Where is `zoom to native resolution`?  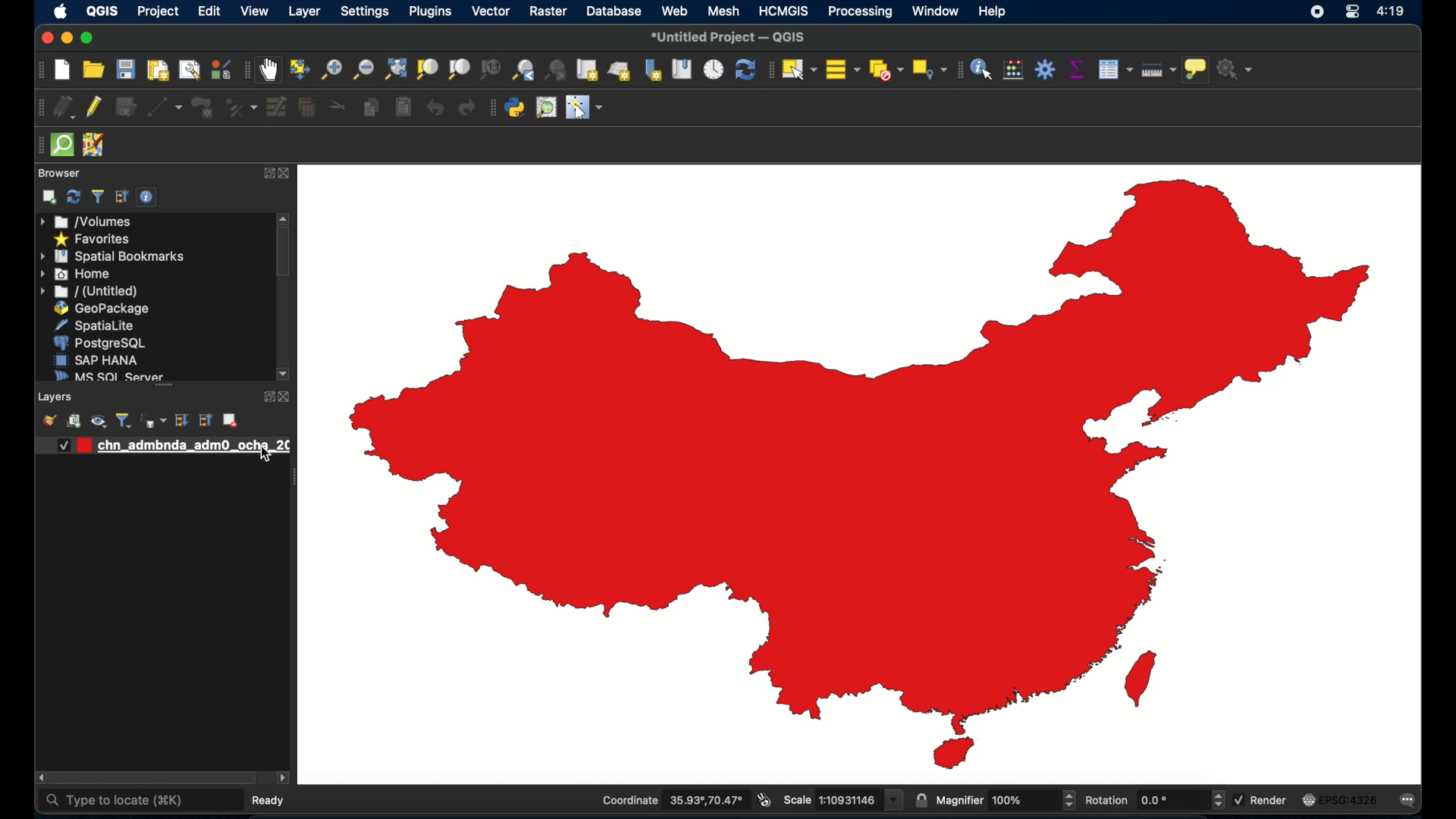
zoom to native resolution is located at coordinates (492, 71).